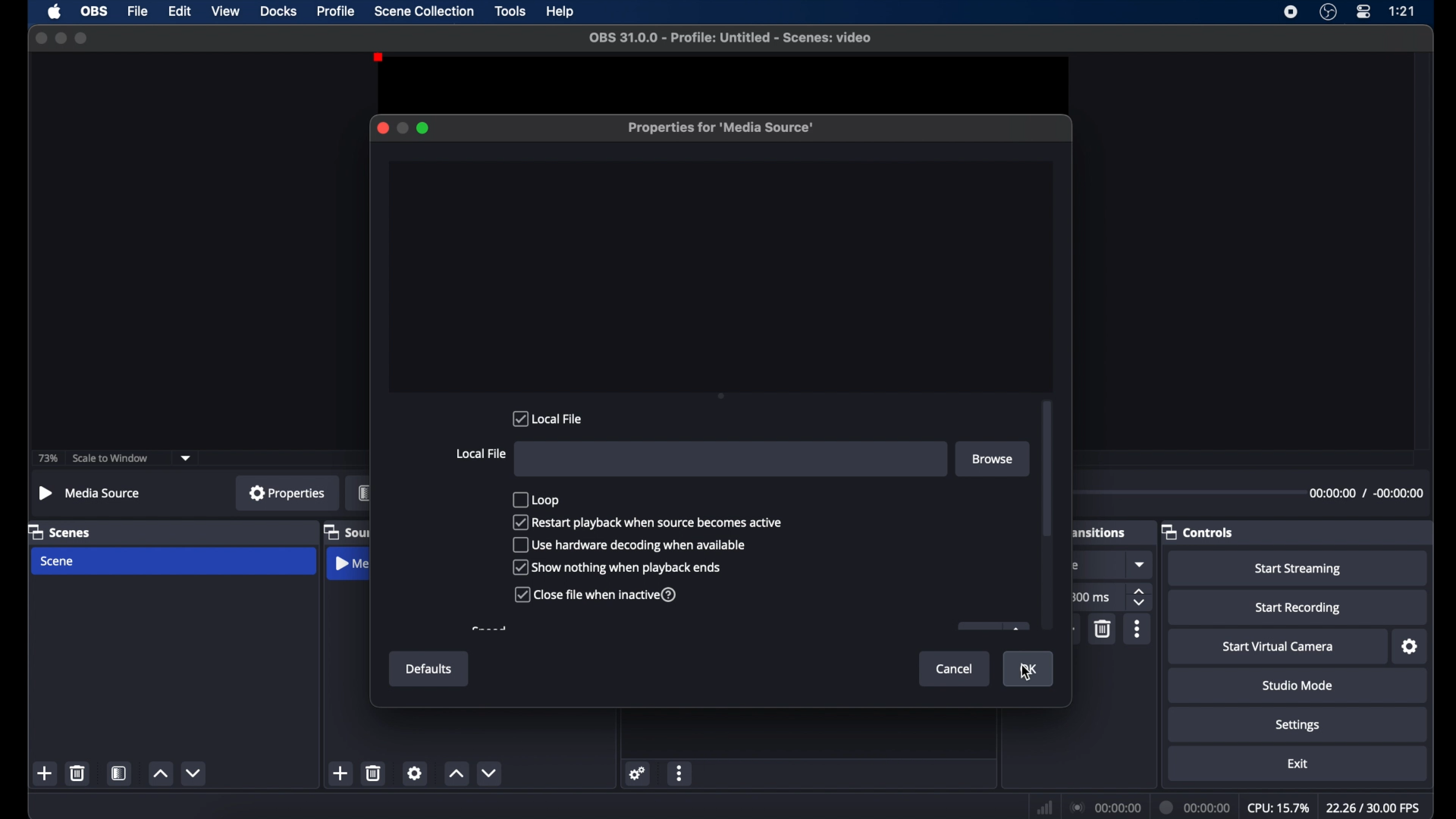 The height and width of the screenshot is (819, 1456). Describe the element at coordinates (77, 773) in the screenshot. I see `delete` at that location.